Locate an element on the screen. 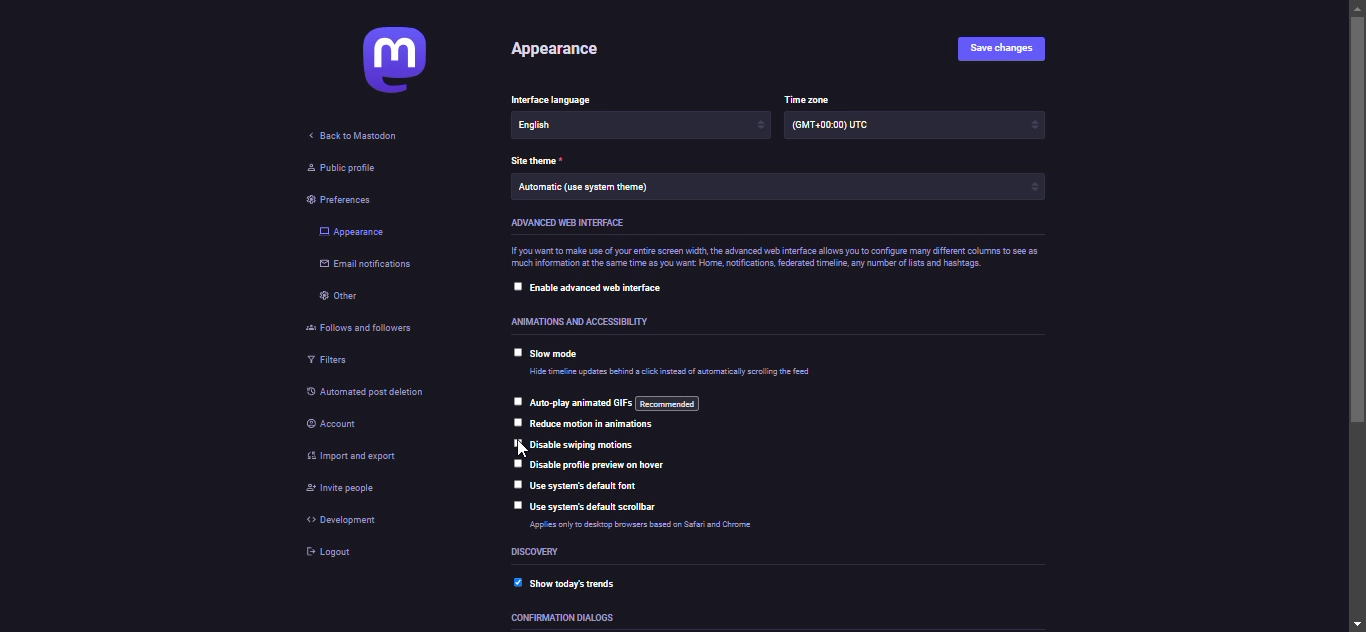 This screenshot has width=1366, height=632. discovery is located at coordinates (536, 552).